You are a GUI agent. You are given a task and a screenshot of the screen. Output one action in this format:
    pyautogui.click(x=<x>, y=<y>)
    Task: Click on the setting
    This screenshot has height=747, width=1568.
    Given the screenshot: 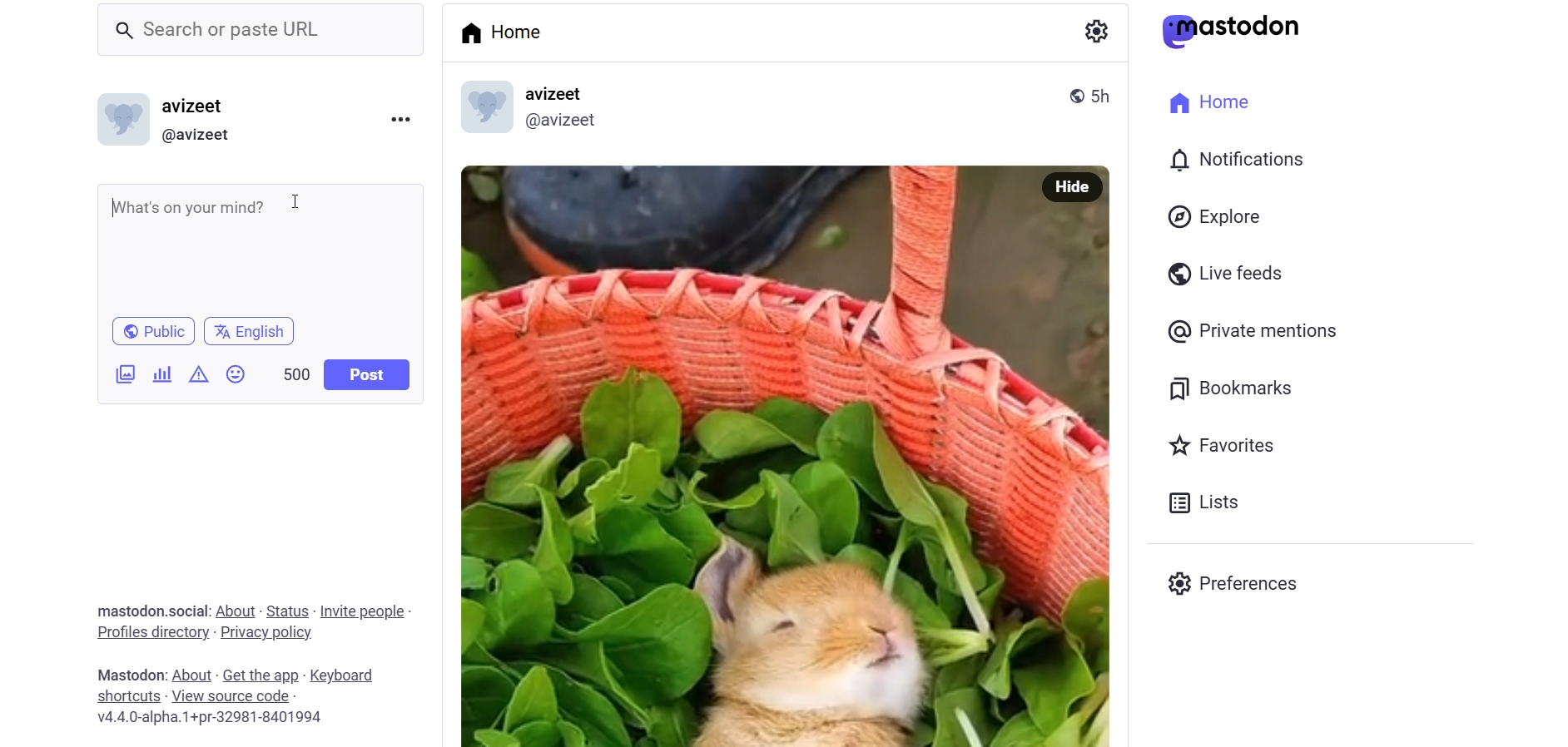 What is the action you would take?
    pyautogui.click(x=1093, y=27)
    